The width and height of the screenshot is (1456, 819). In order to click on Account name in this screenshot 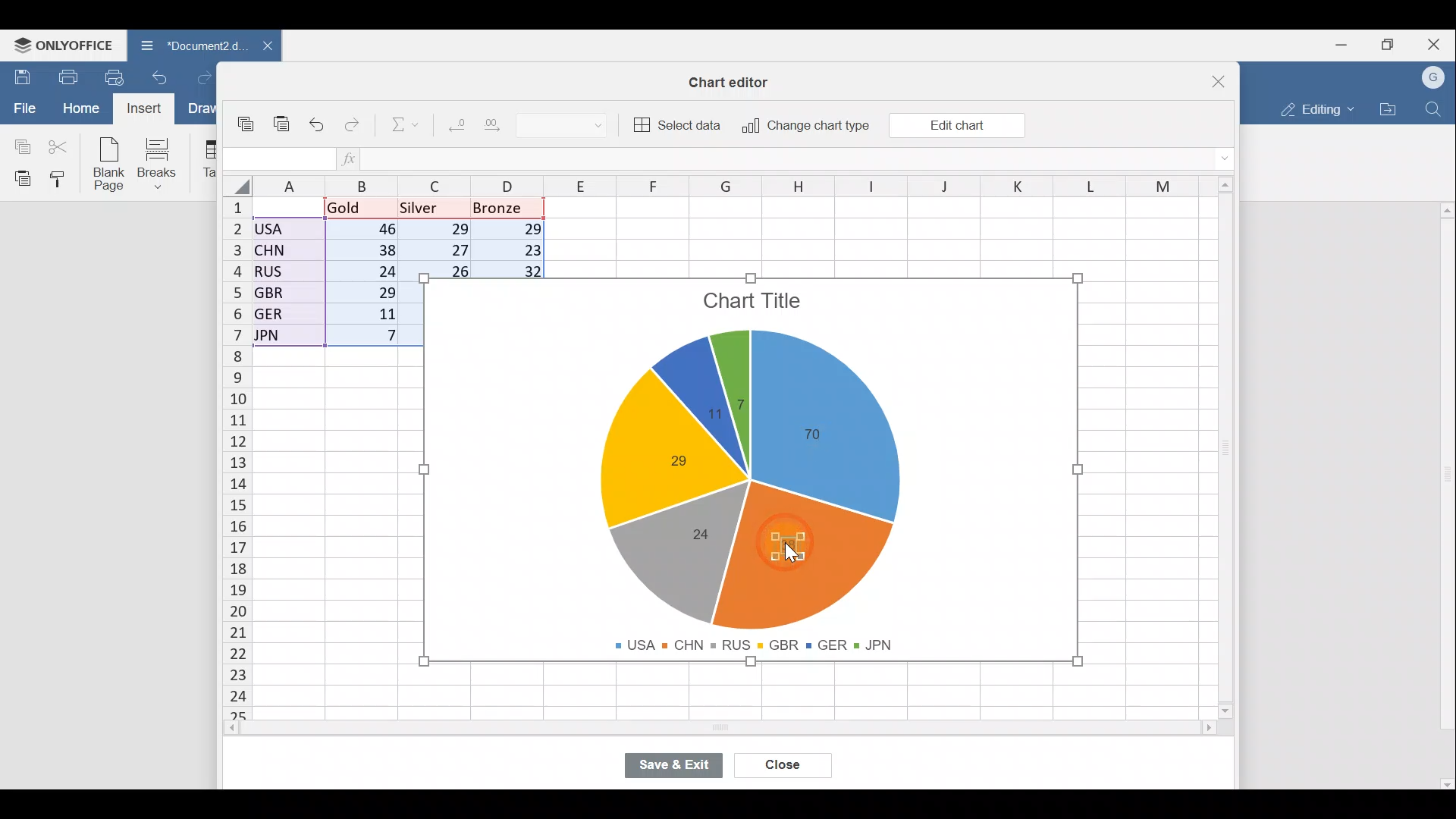, I will do `click(1434, 78)`.